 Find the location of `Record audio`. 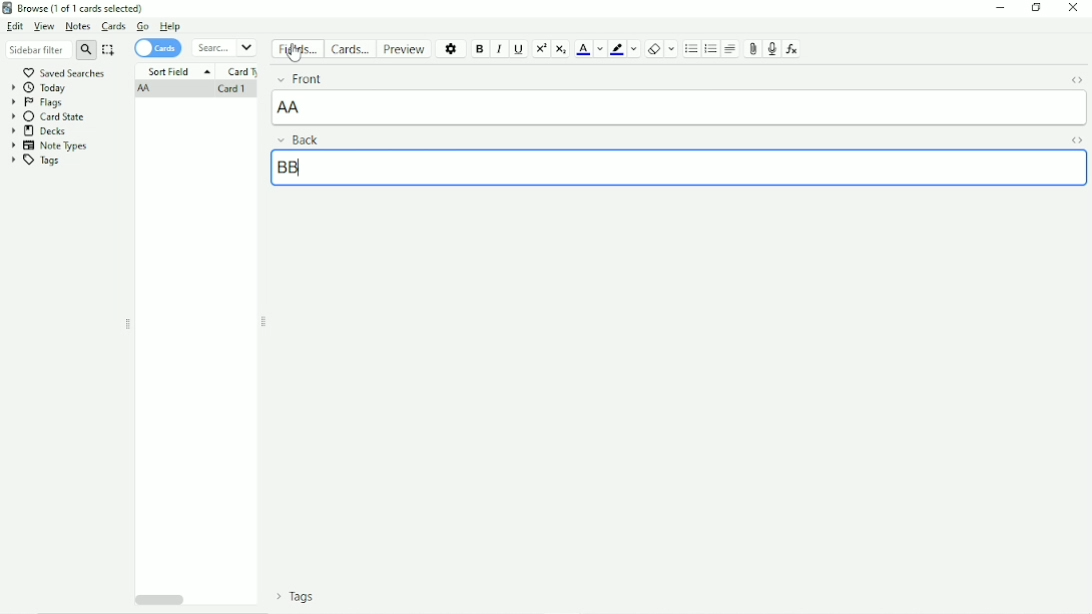

Record audio is located at coordinates (770, 49).